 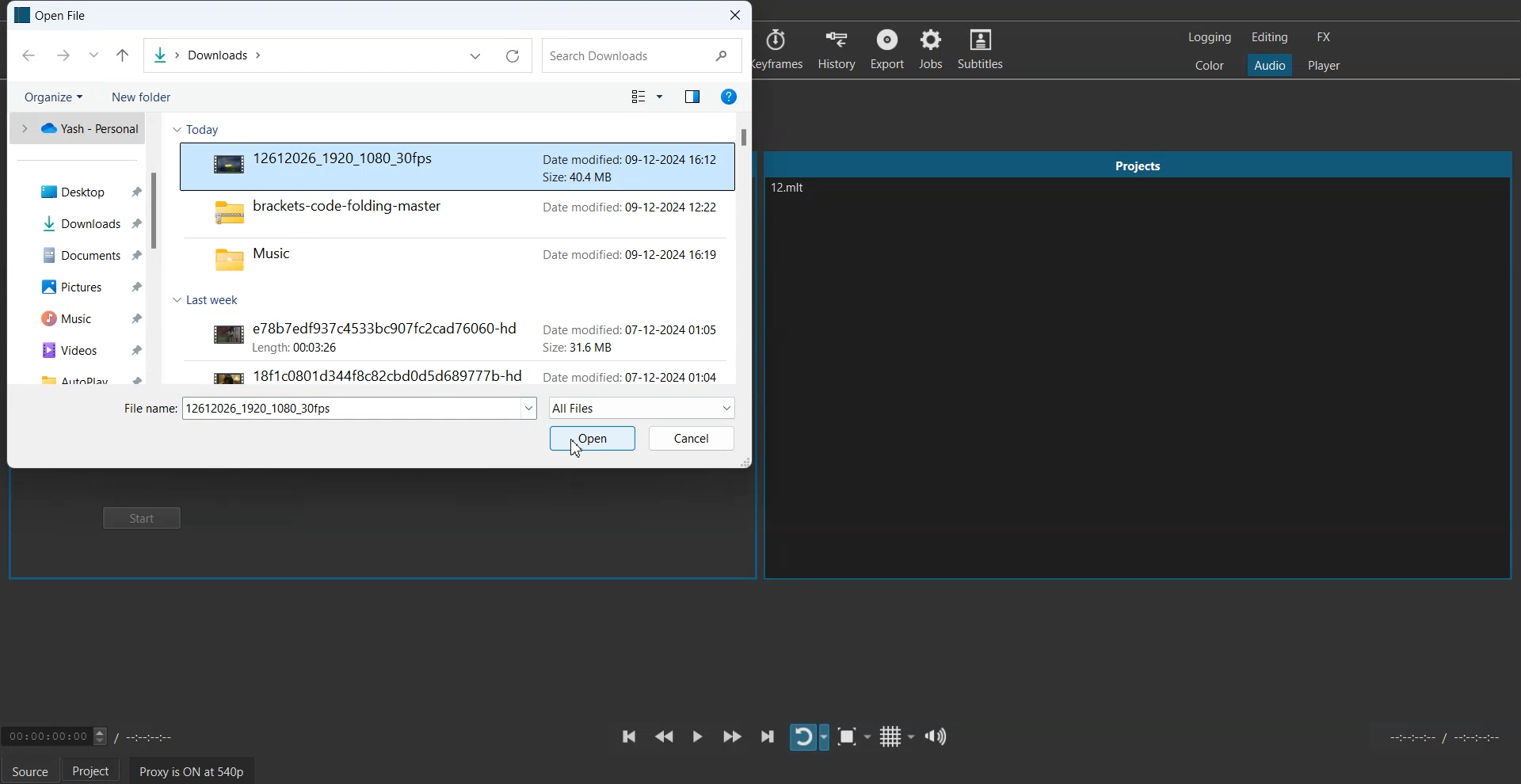 What do you see at coordinates (212, 299) in the screenshot?
I see `Last Week` at bounding box center [212, 299].